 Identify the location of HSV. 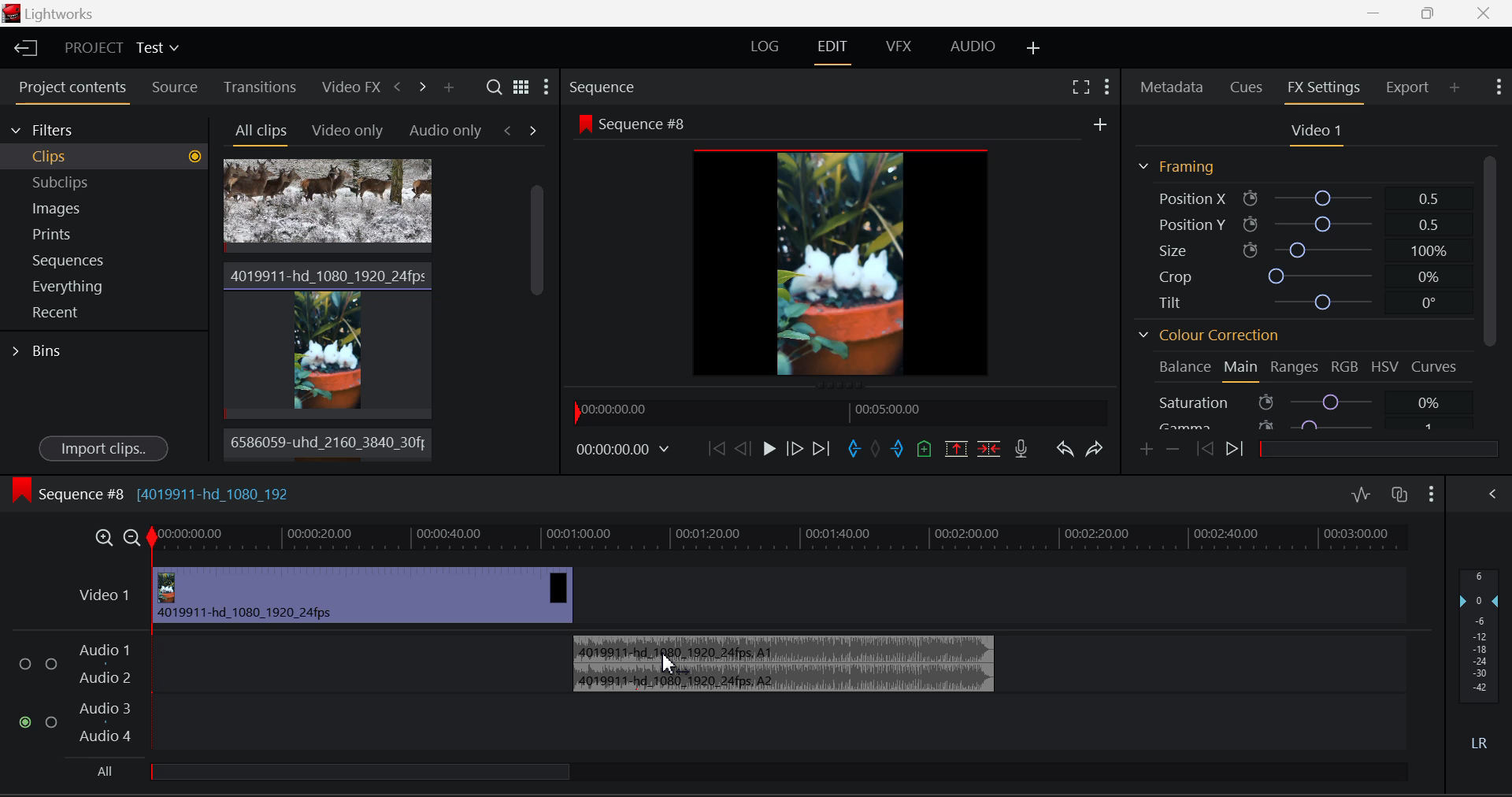
(1385, 365).